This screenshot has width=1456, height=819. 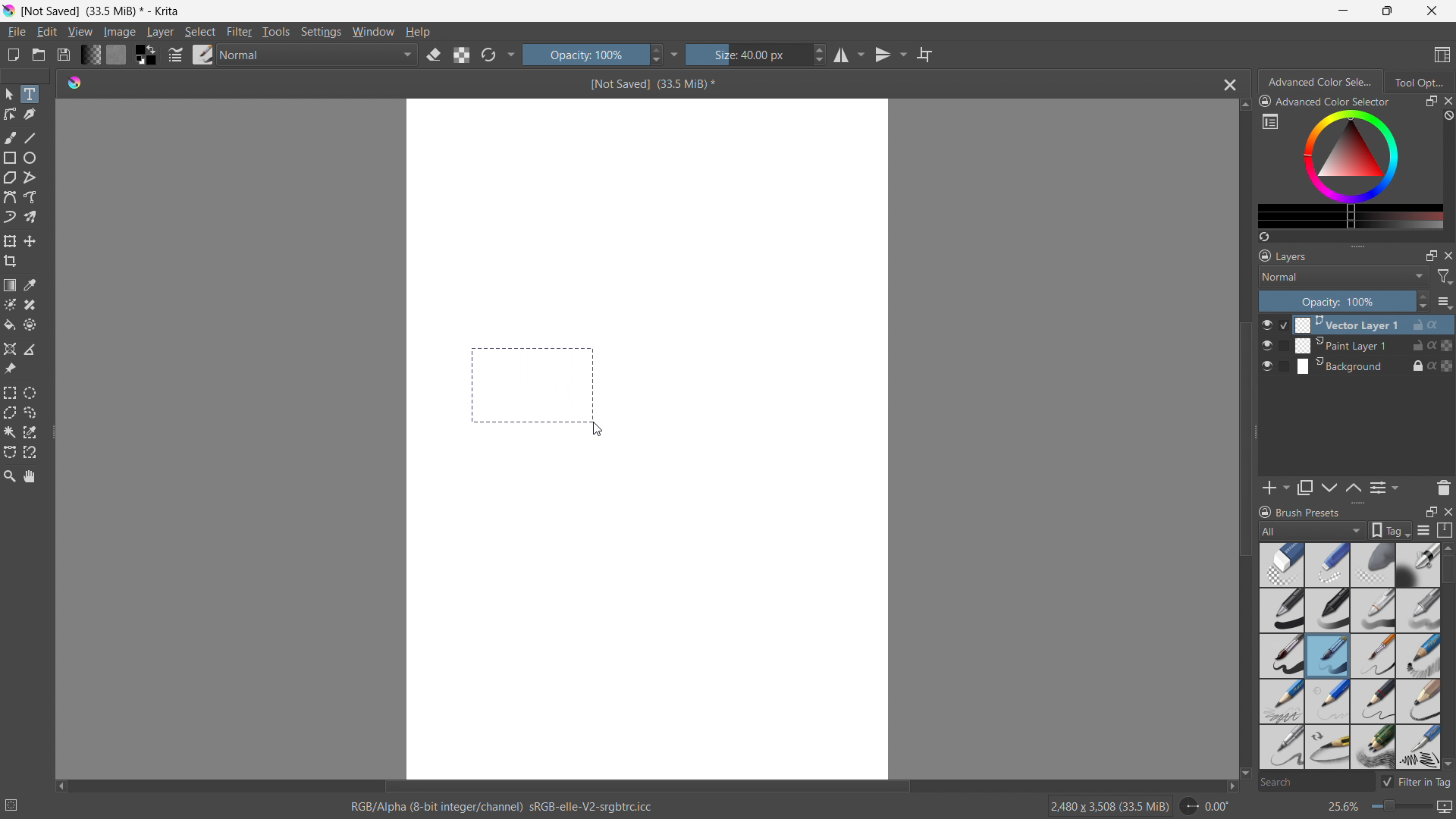 What do you see at coordinates (11, 261) in the screenshot?
I see `crop the image to an area` at bounding box center [11, 261].